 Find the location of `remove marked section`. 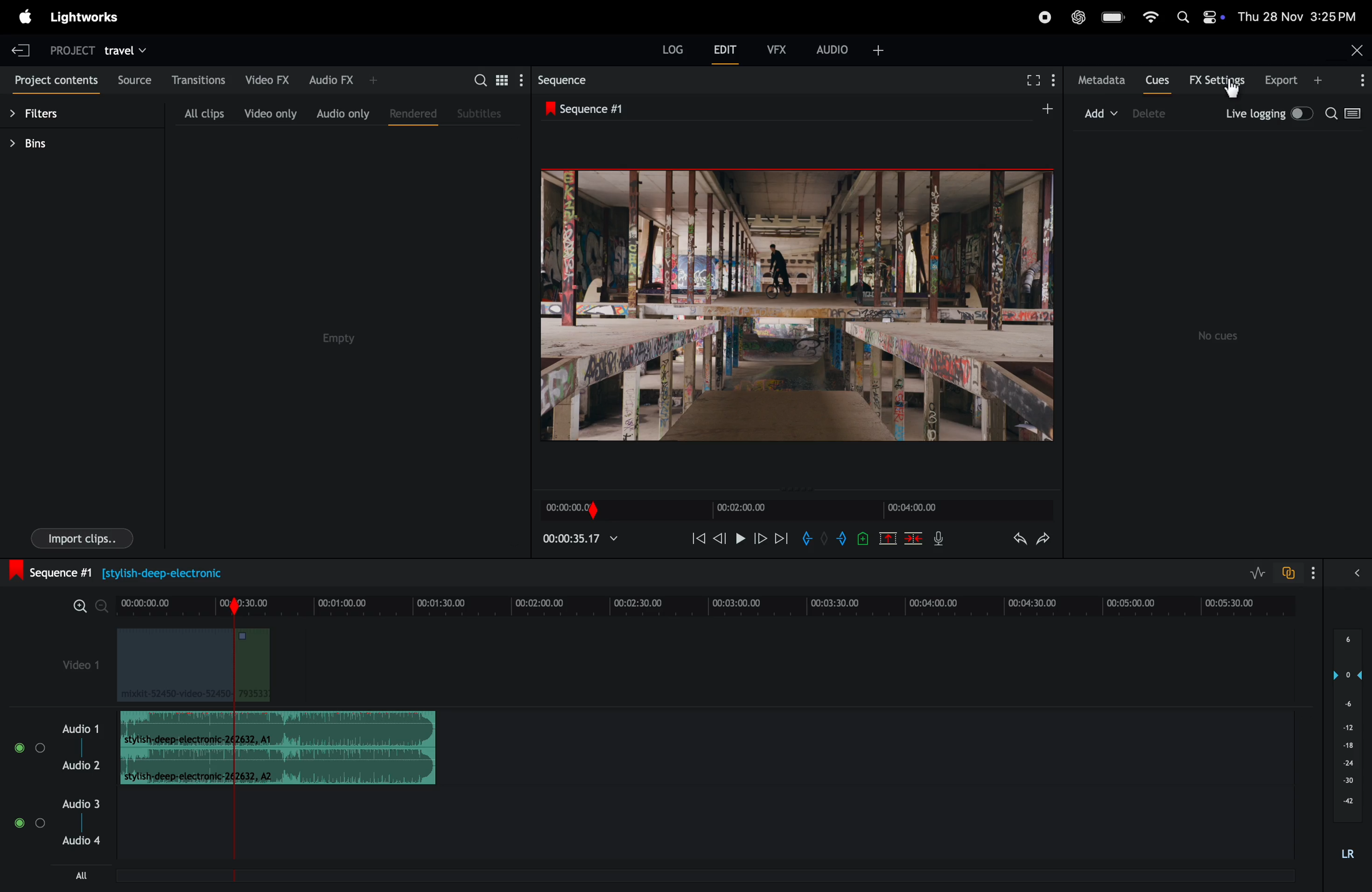

remove marked section is located at coordinates (889, 537).